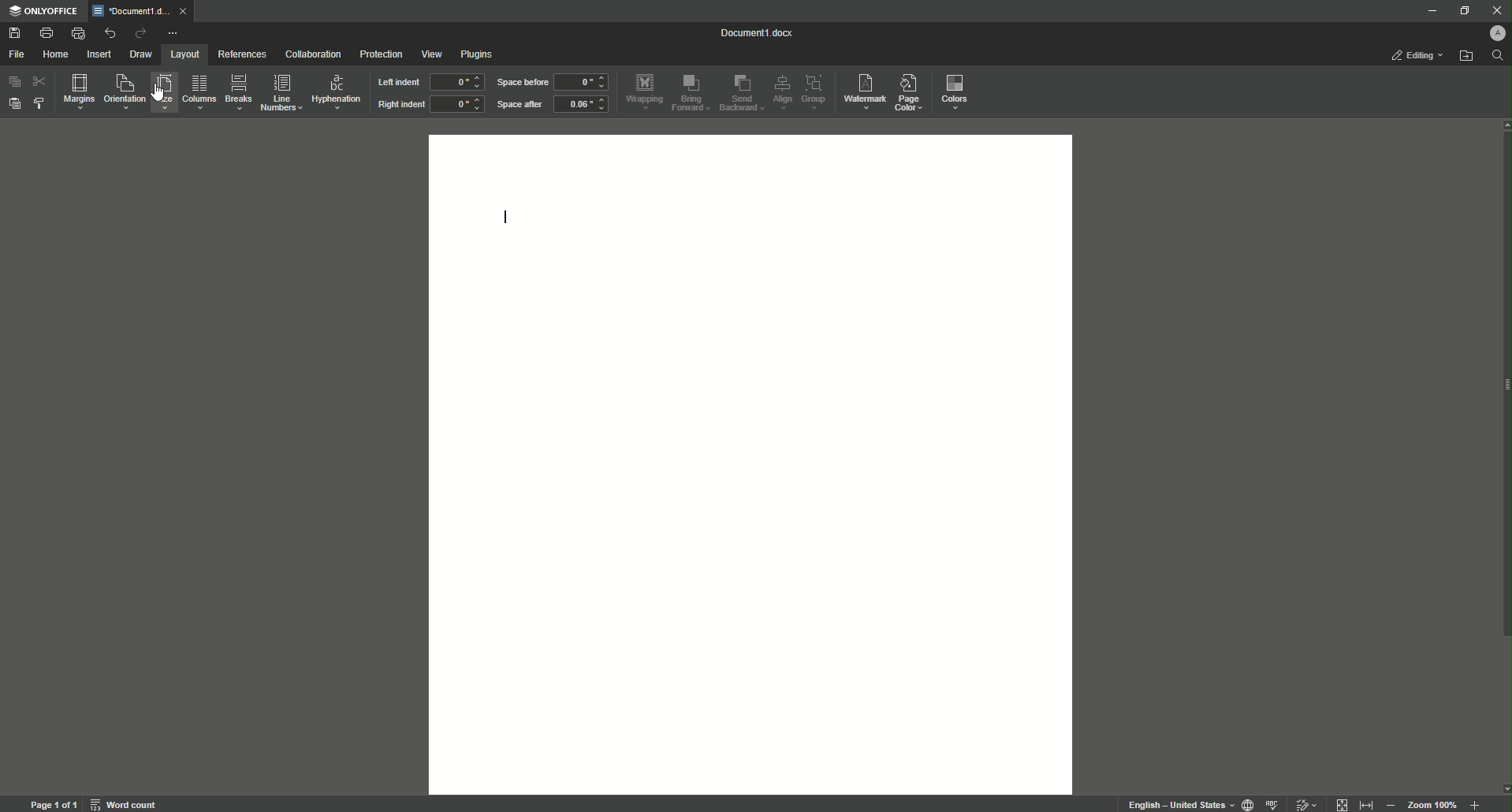 The height and width of the screenshot is (812, 1512). I want to click on Resources, so click(240, 54).